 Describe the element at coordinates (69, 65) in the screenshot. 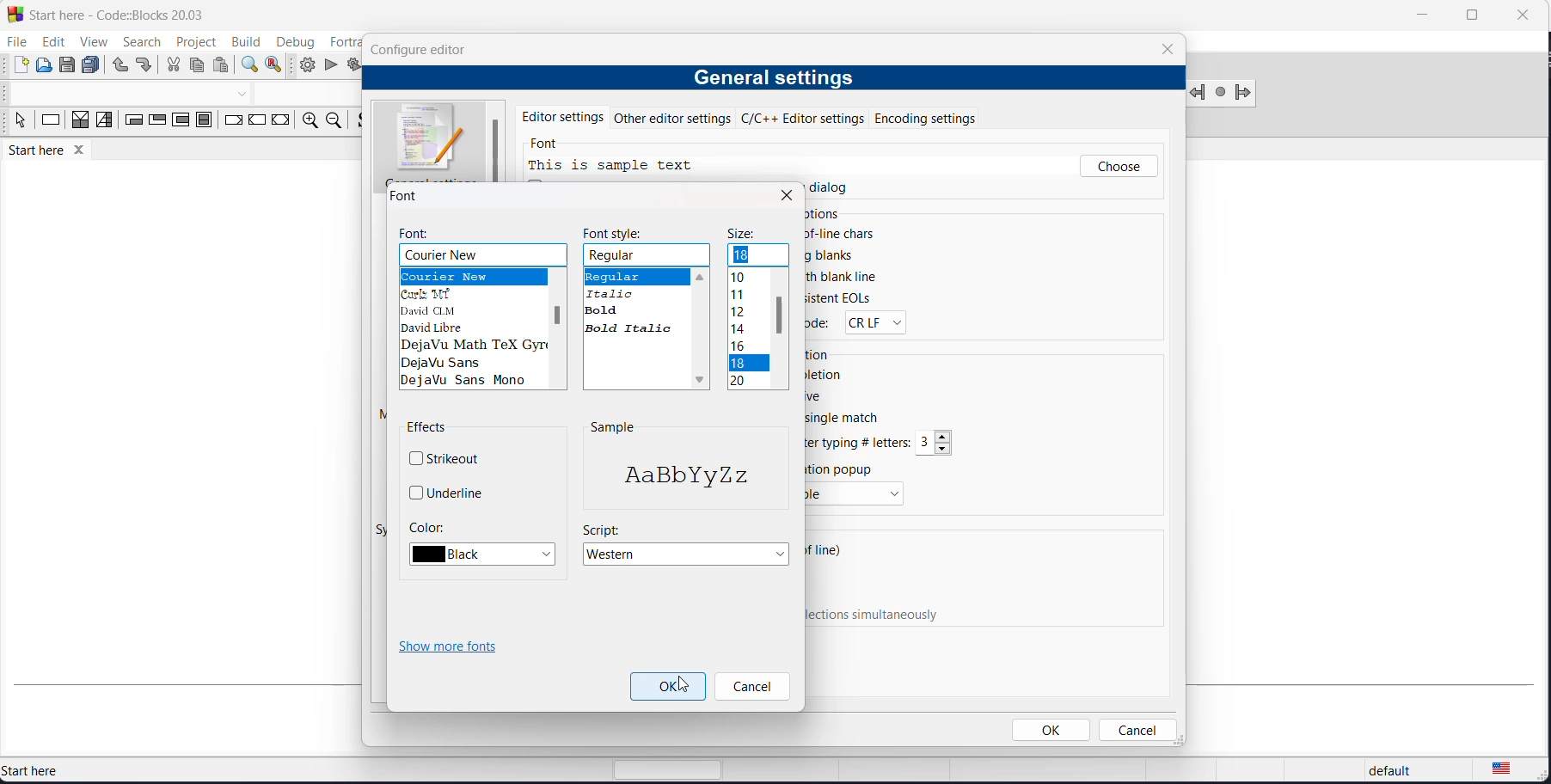

I see `save ` at that location.